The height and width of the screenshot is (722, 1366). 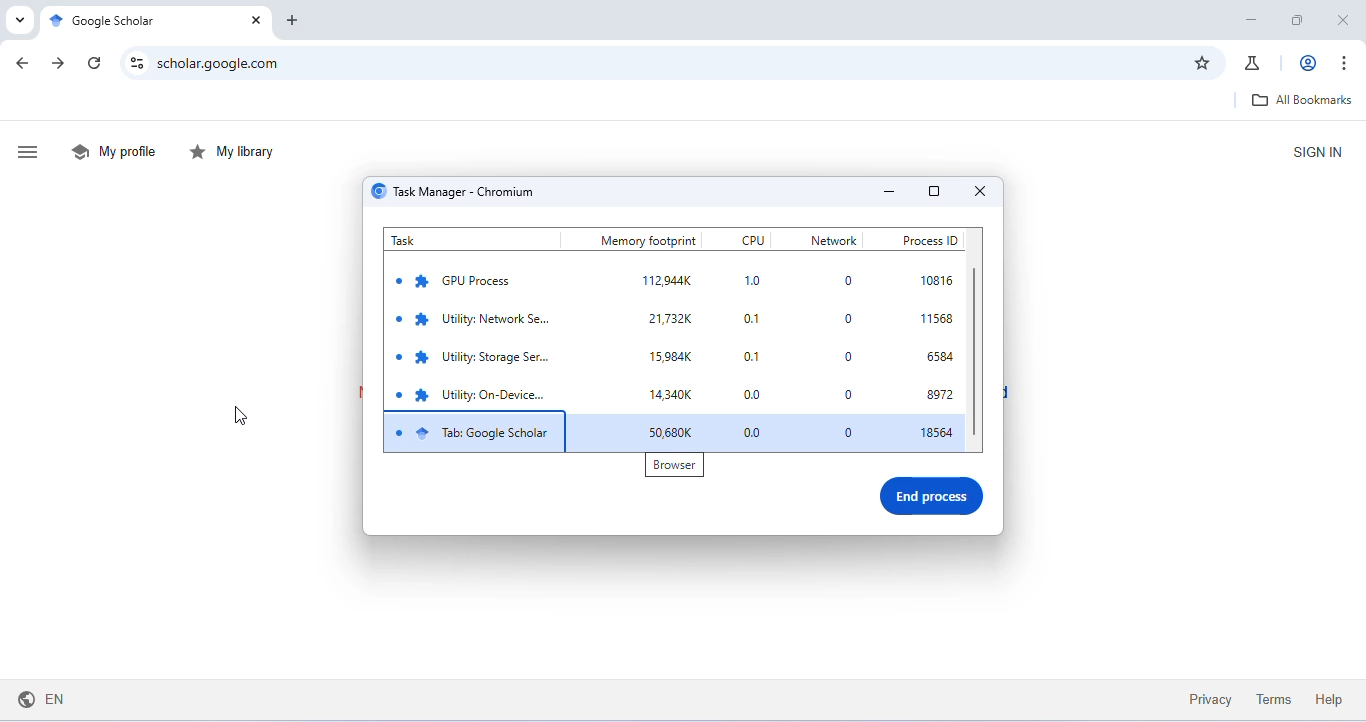 What do you see at coordinates (938, 319) in the screenshot?
I see `11568` at bounding box center [938, 319].